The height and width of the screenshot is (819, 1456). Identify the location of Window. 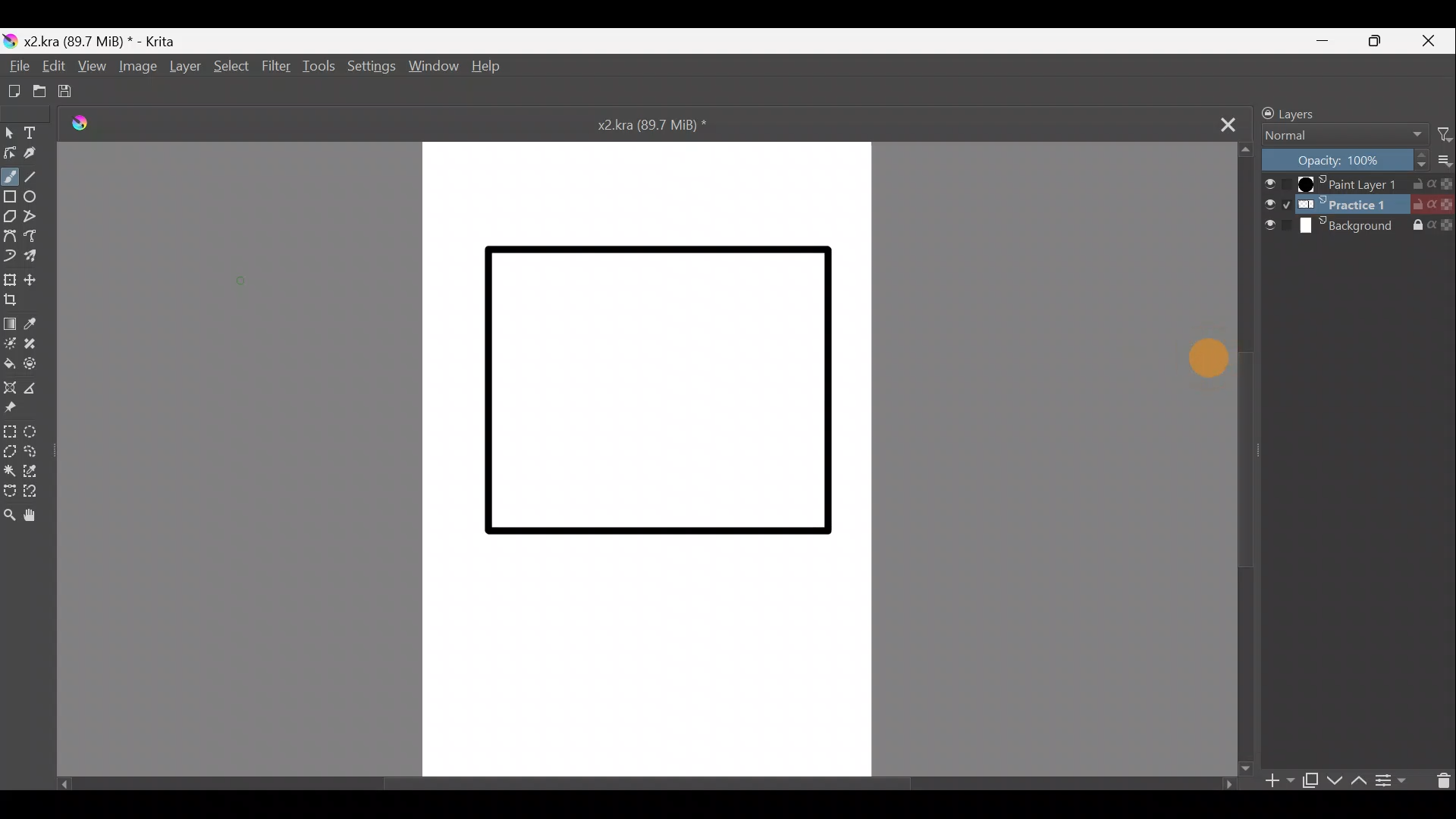
(434, 66).